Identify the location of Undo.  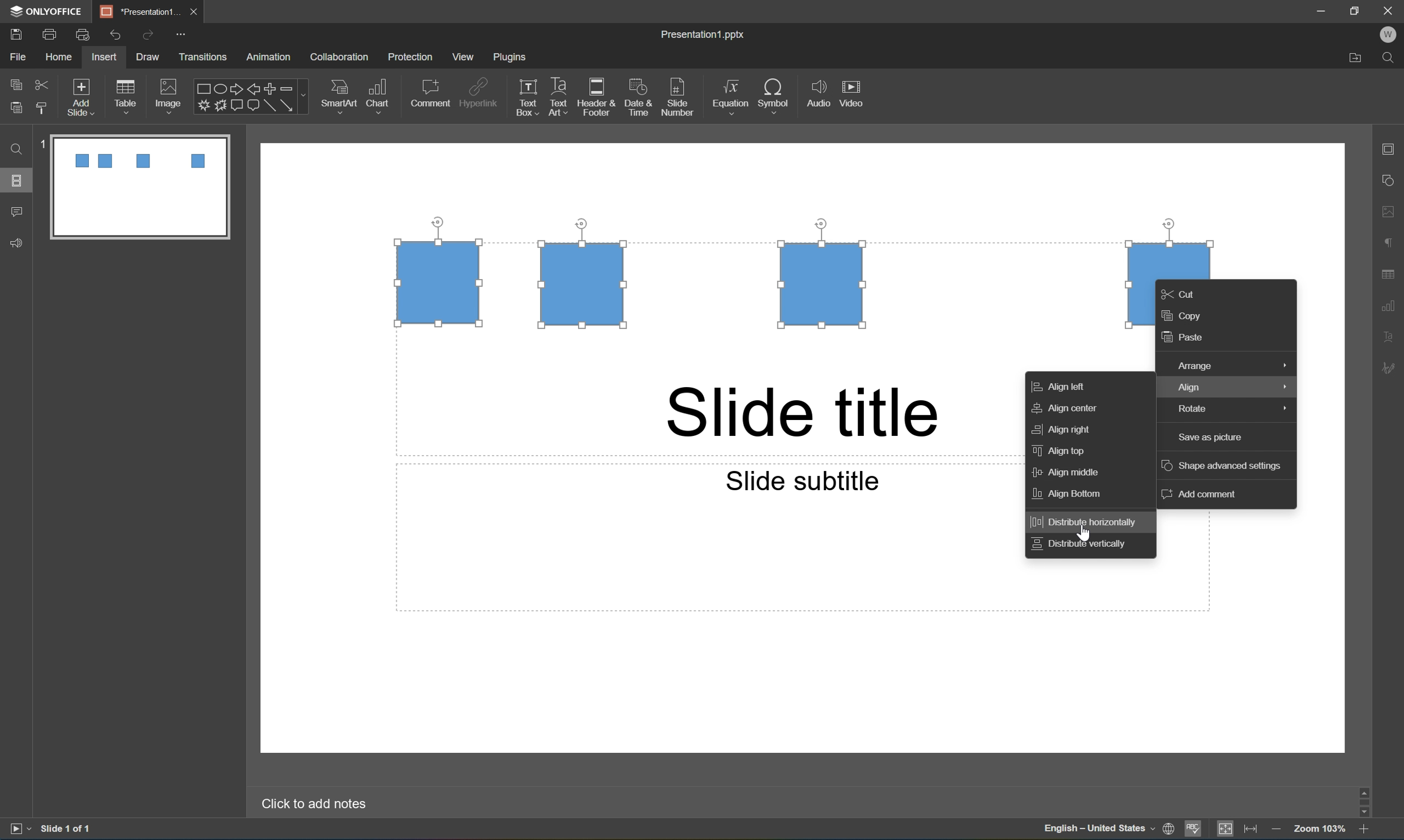
(115, 33).